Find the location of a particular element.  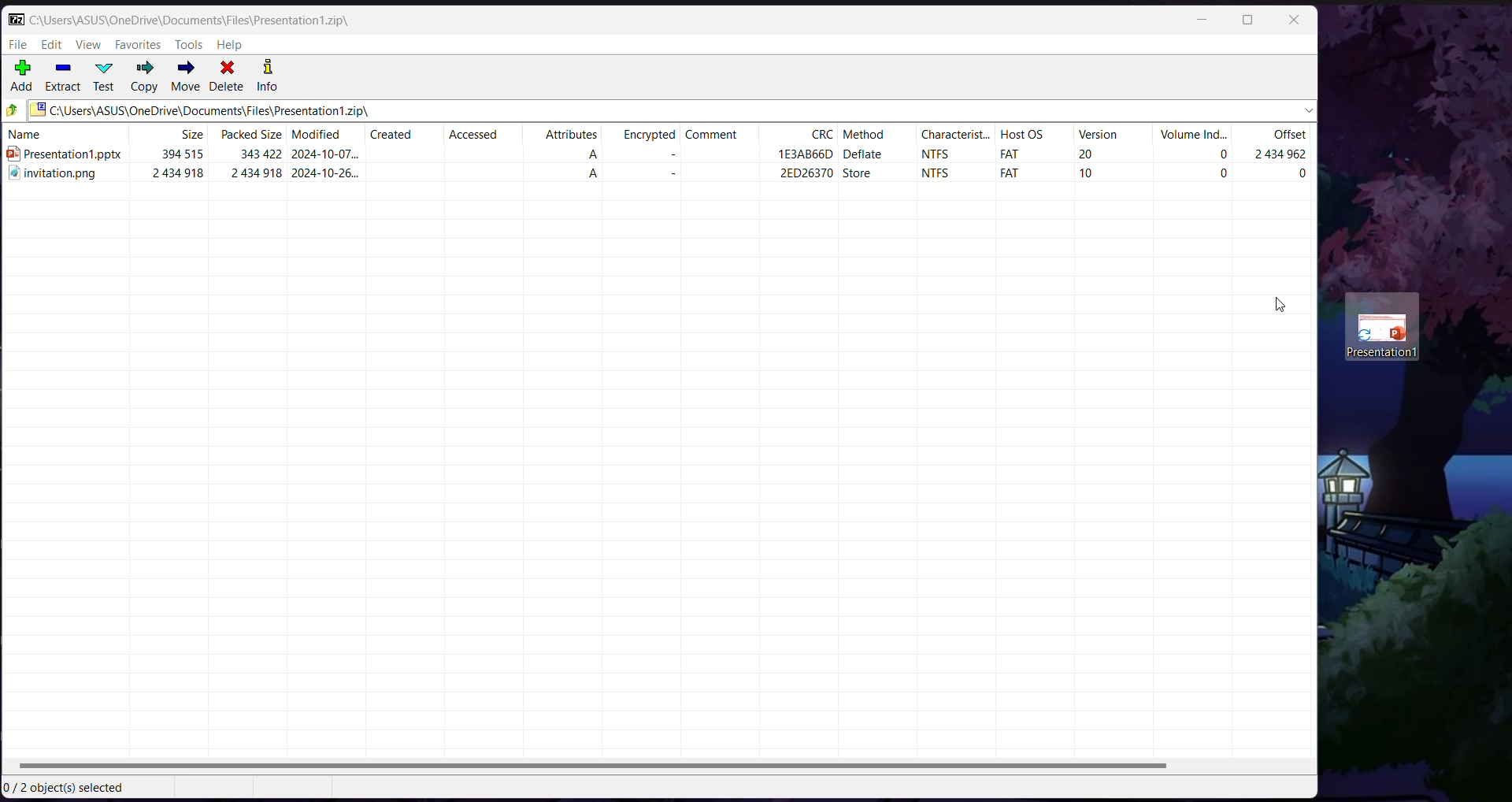

0 is located at coordinates (1206, 157).